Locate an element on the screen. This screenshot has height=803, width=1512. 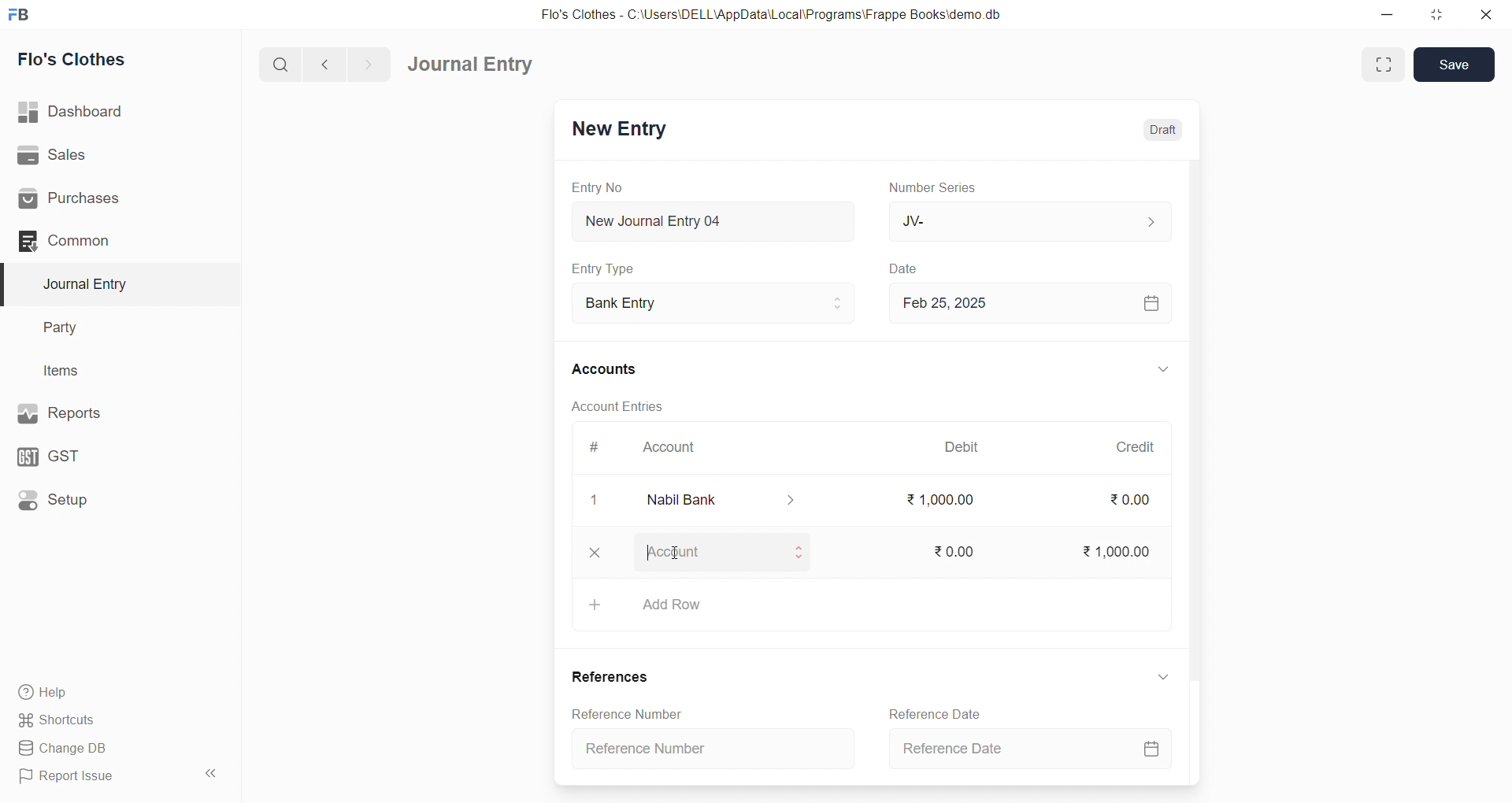
Account is located at coordinates (665, 450).